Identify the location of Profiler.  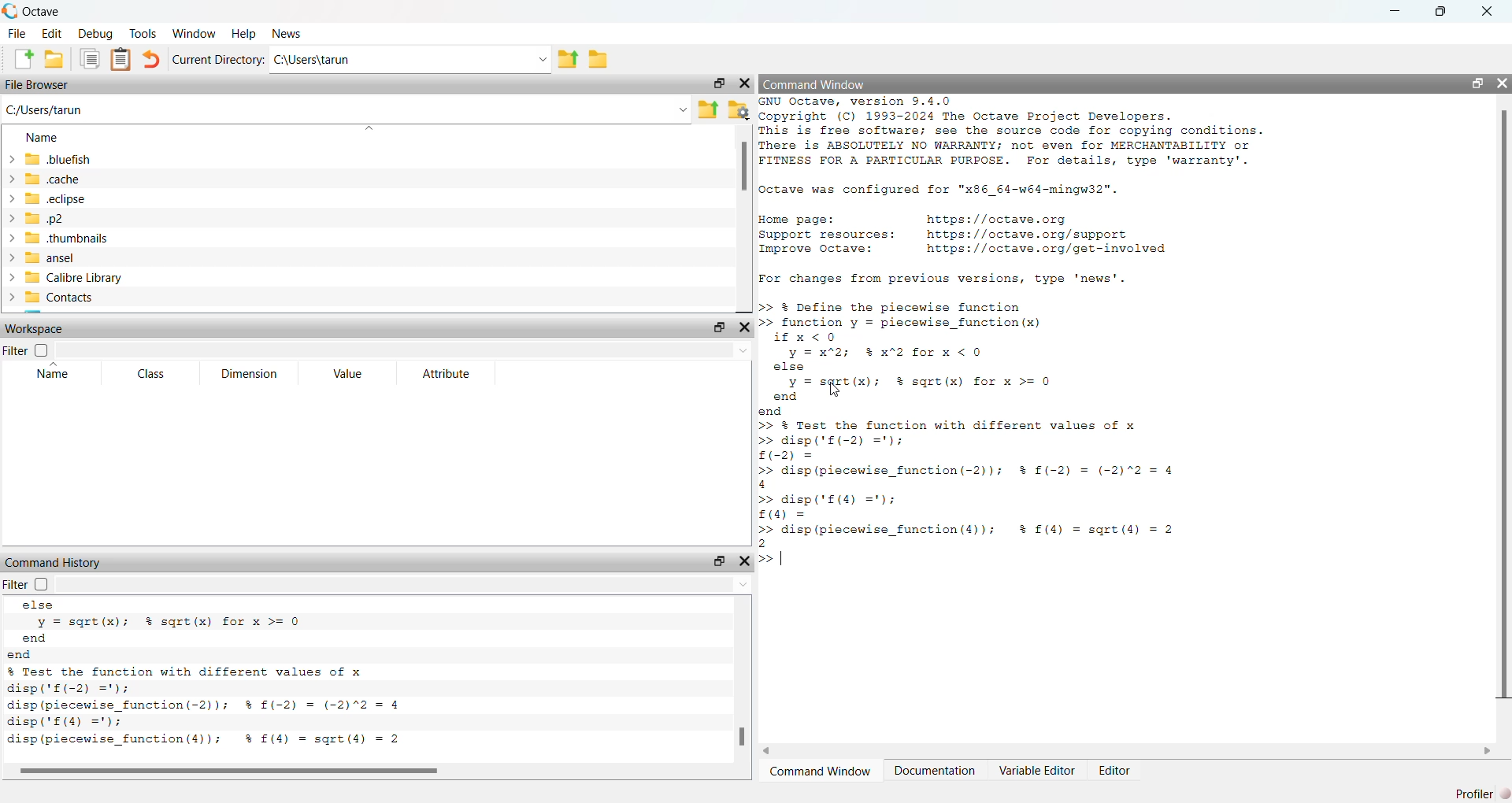
(1478, 791).